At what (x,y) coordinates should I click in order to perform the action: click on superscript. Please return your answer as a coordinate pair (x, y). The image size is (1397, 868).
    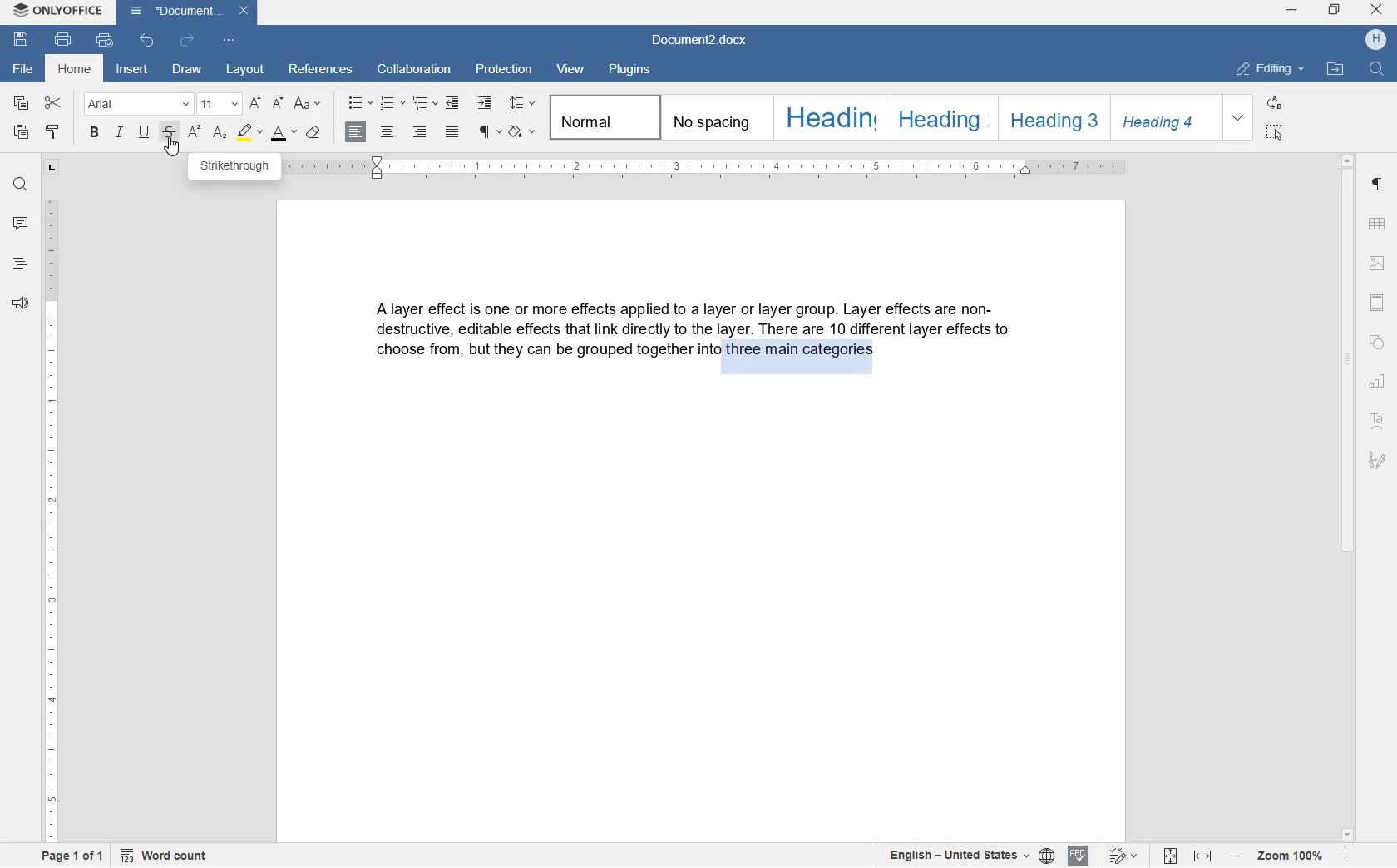
    Looking at the image, I should click on (195, 134).